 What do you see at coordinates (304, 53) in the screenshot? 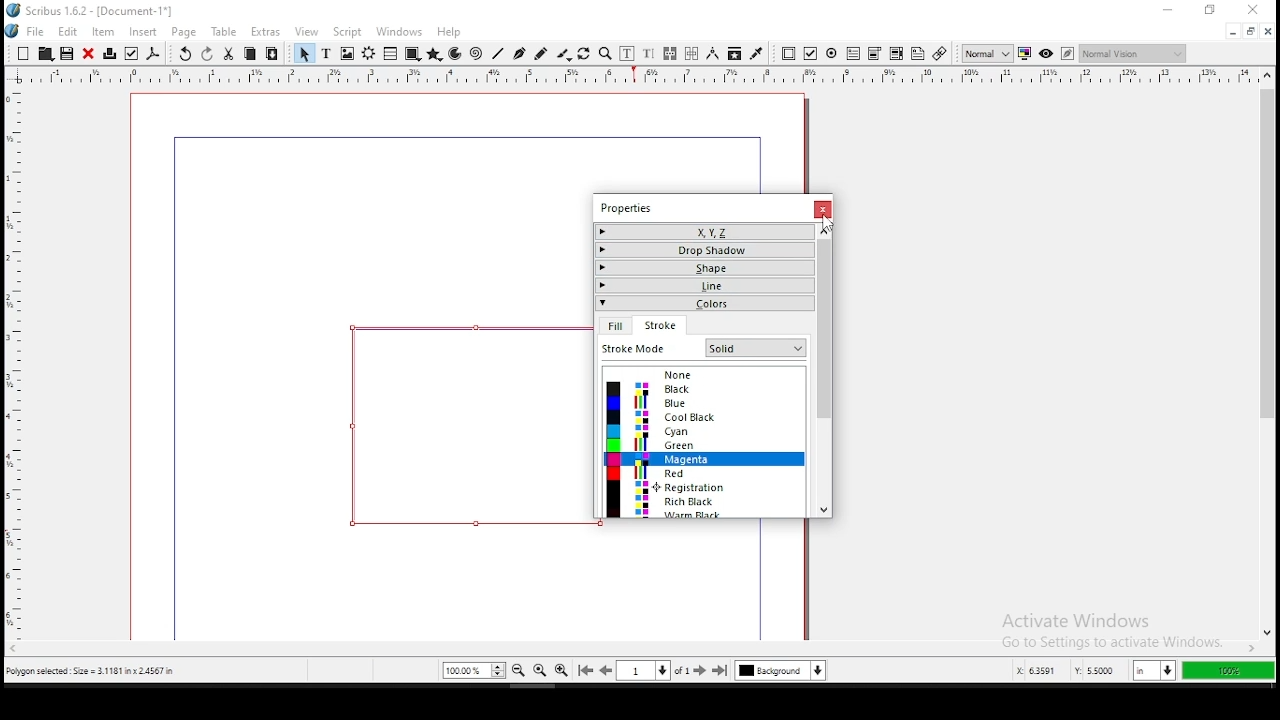
I see `select item` at bounding box center [304, 53].